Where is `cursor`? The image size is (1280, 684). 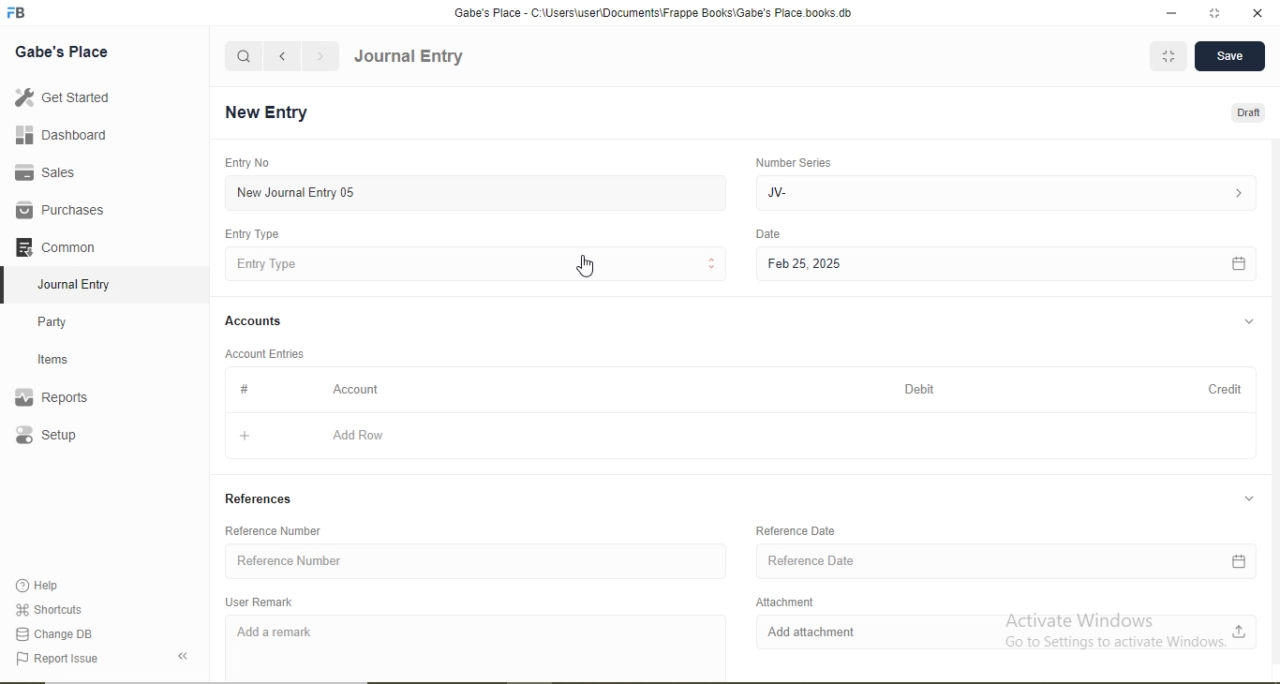
cursor is located at coordinates (590, 268).